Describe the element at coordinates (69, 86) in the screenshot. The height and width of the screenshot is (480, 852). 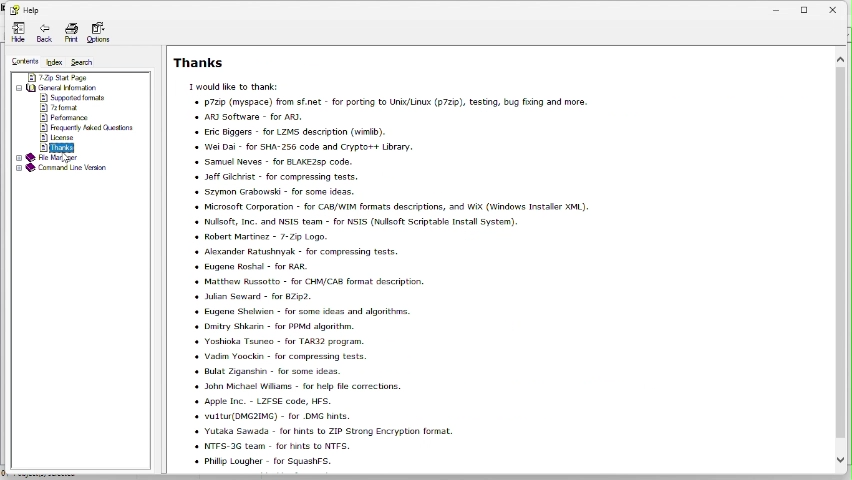
I see `General information` at that location.